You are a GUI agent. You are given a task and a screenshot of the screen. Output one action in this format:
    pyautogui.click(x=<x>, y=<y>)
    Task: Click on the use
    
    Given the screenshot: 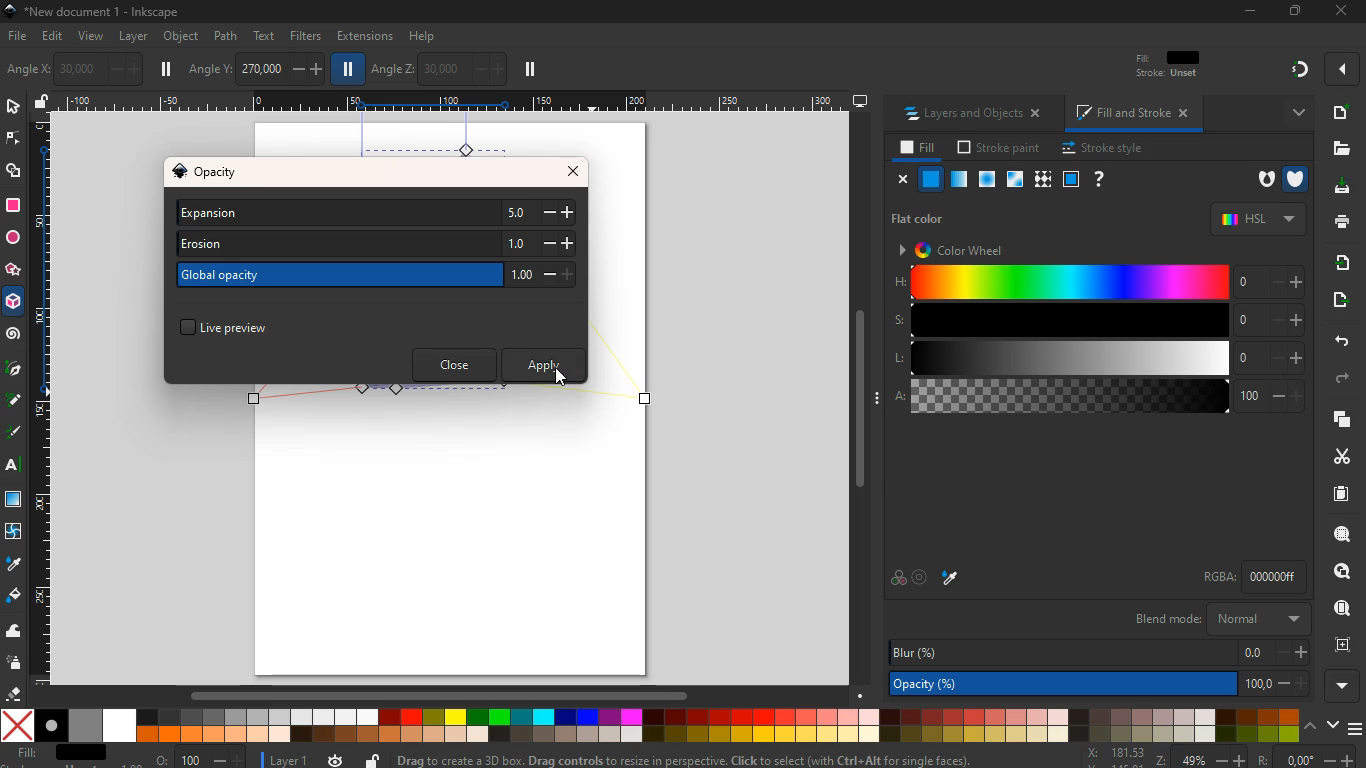 What is the action you would take?
    pyautogui.click(x=1336, y=609)
    